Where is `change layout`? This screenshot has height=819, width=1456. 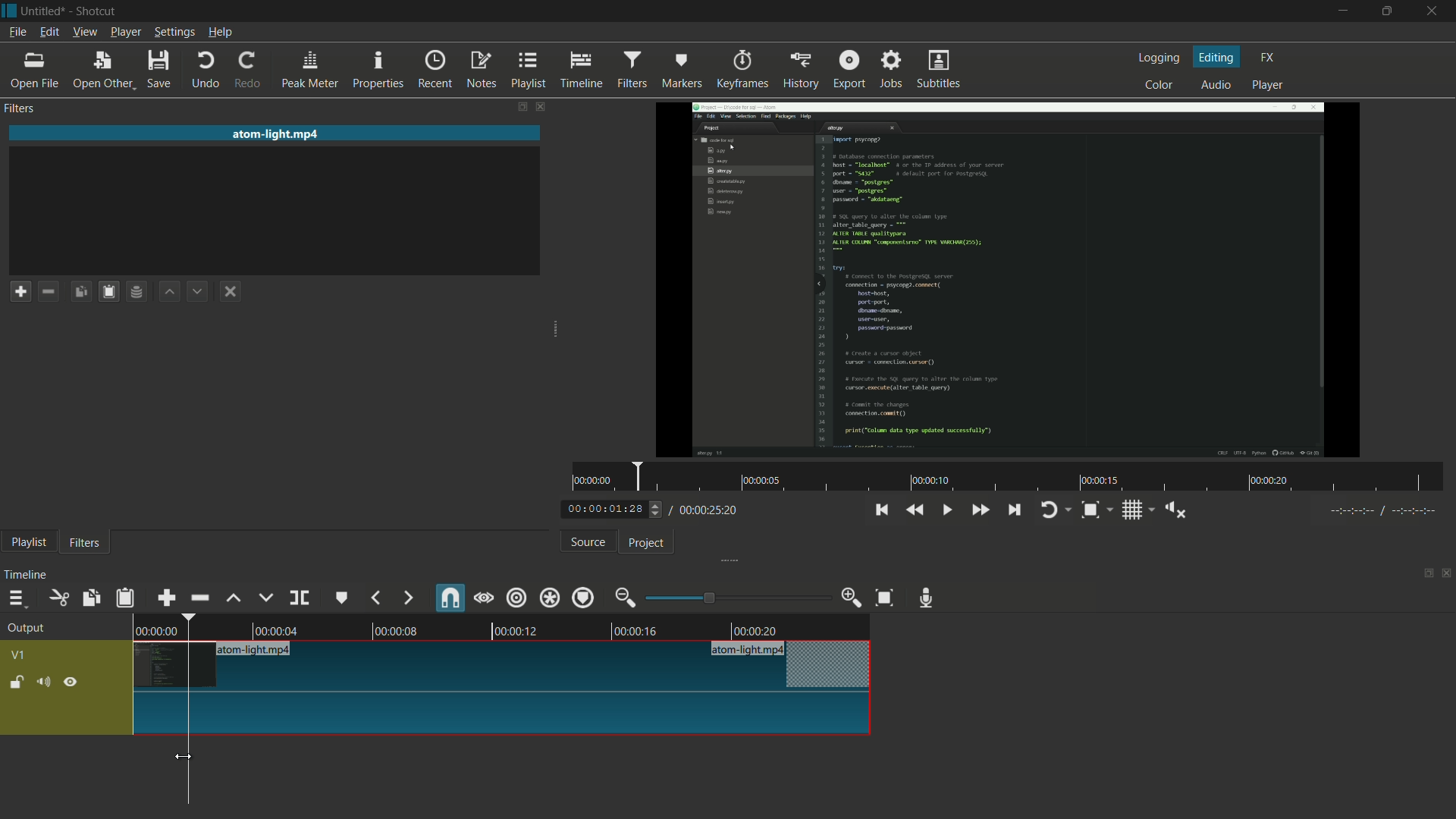
change layout is located at coordinates (516, 106).